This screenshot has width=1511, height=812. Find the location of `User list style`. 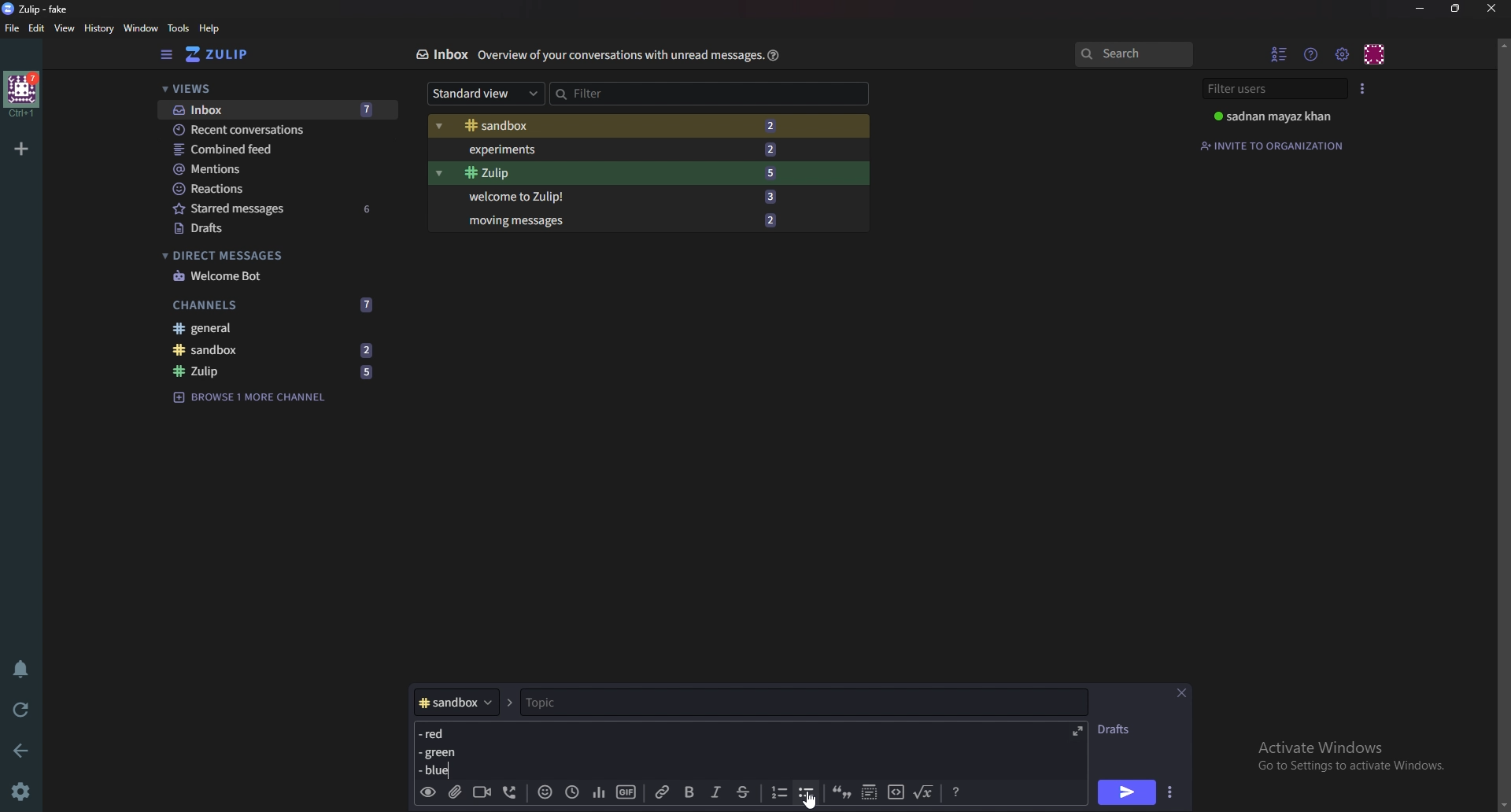

User list style is located at coordinates (1362, 88).